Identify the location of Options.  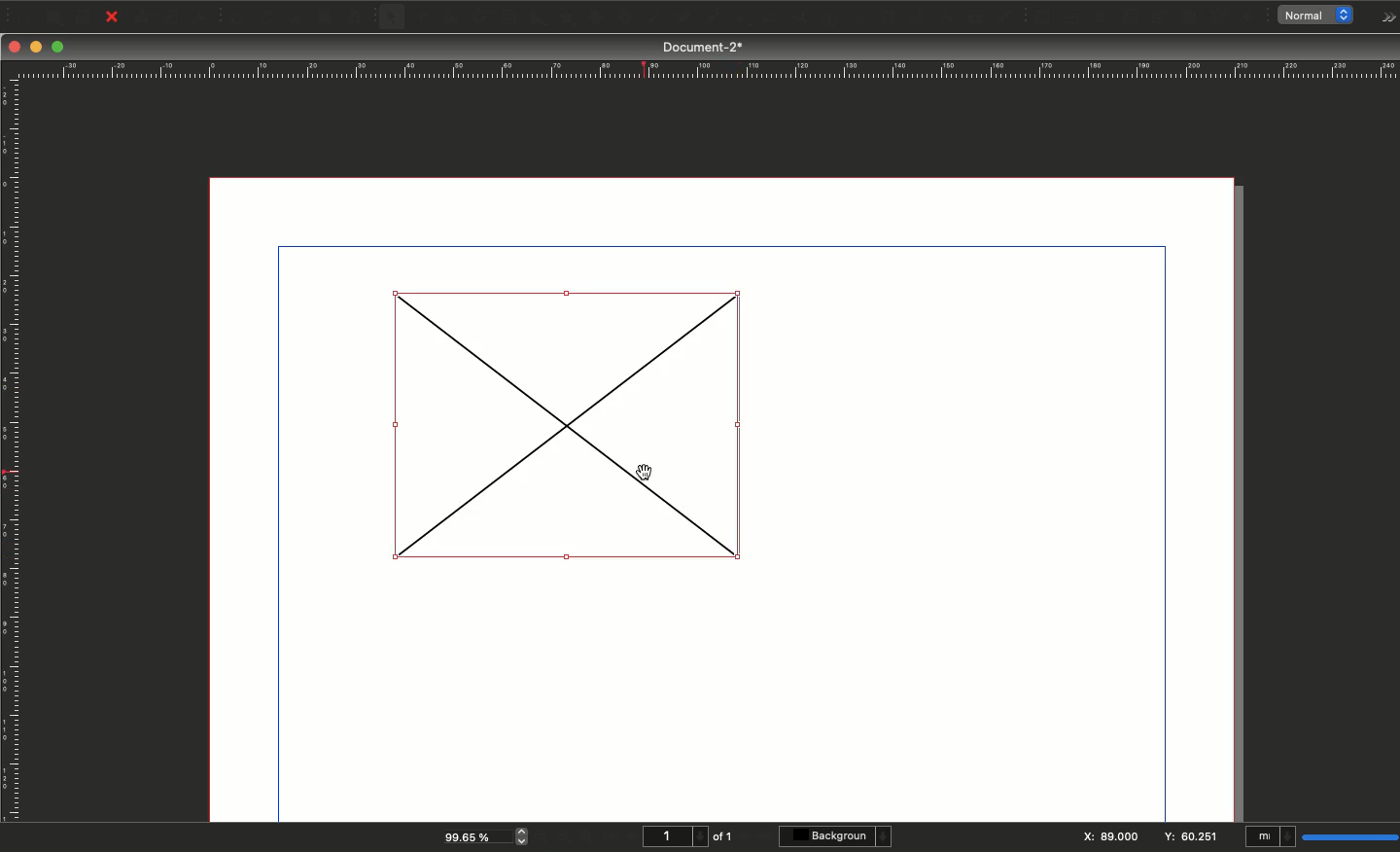
(1384, 18).